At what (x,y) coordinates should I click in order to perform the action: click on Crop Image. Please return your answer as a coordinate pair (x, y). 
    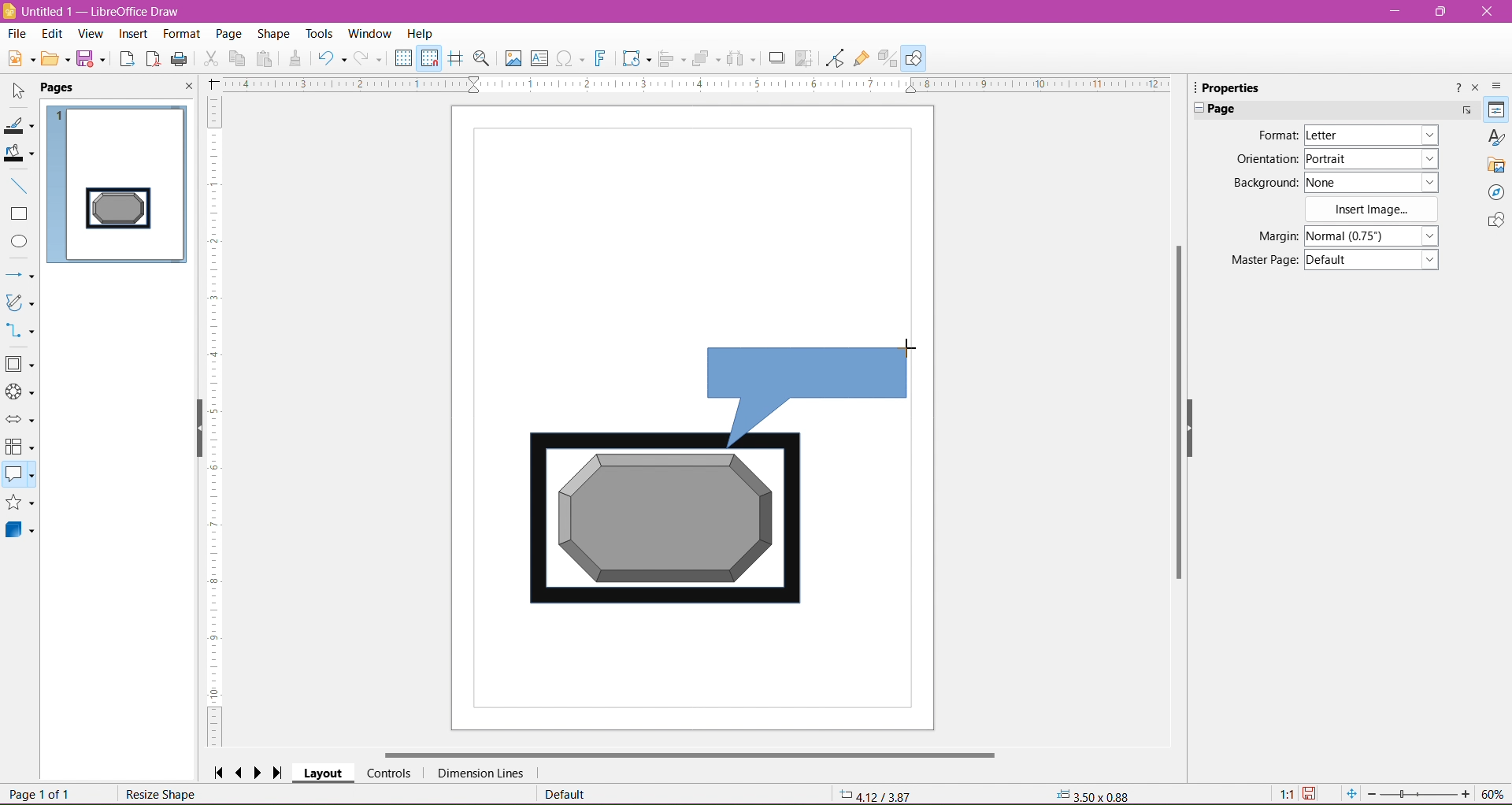
    Looking at the image, I should click on (804, 57).